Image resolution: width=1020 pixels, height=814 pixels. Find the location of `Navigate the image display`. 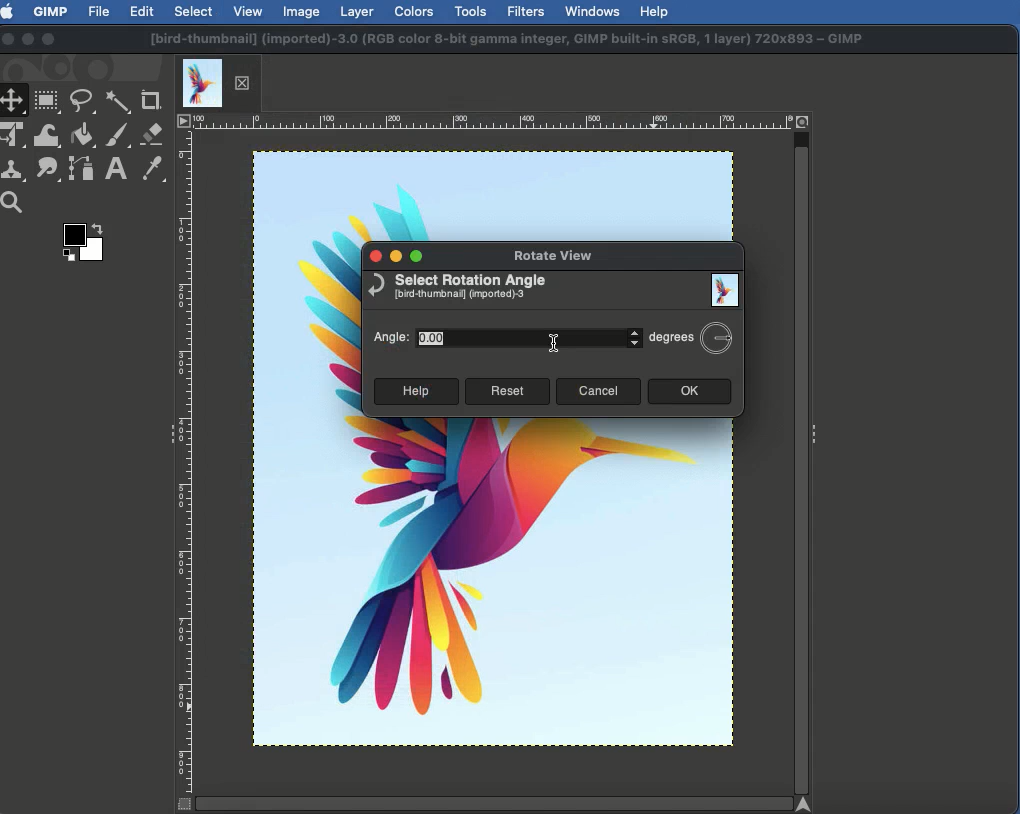

Navigate the image display is located at coordinates (809, 804).